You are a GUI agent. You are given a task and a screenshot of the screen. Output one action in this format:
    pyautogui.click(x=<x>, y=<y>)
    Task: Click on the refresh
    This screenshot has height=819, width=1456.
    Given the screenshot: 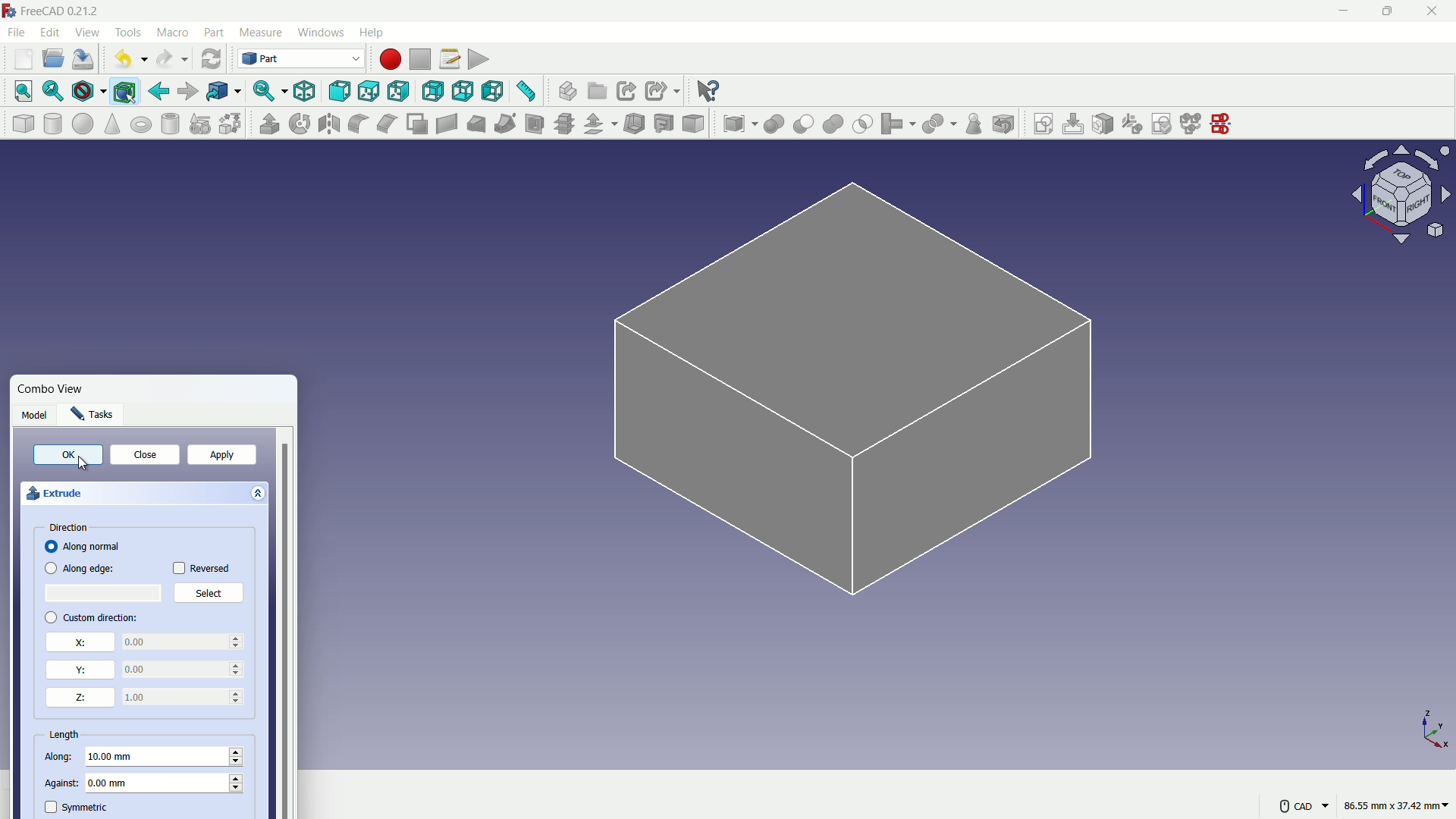 What is the action you would take?
    pyautogui.click(x=210, y=58)
    